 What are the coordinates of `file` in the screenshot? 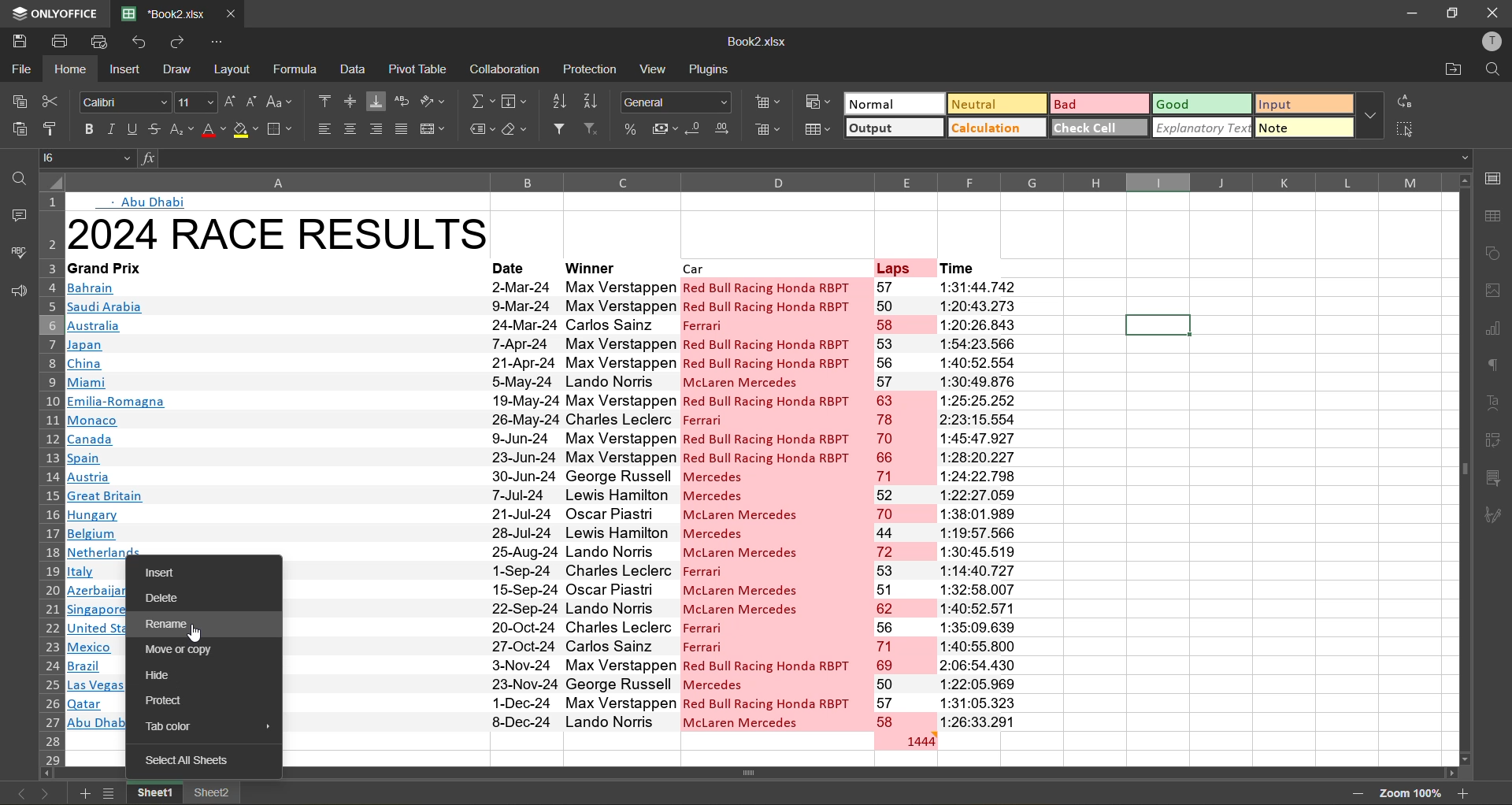 It's located at (20, 68).